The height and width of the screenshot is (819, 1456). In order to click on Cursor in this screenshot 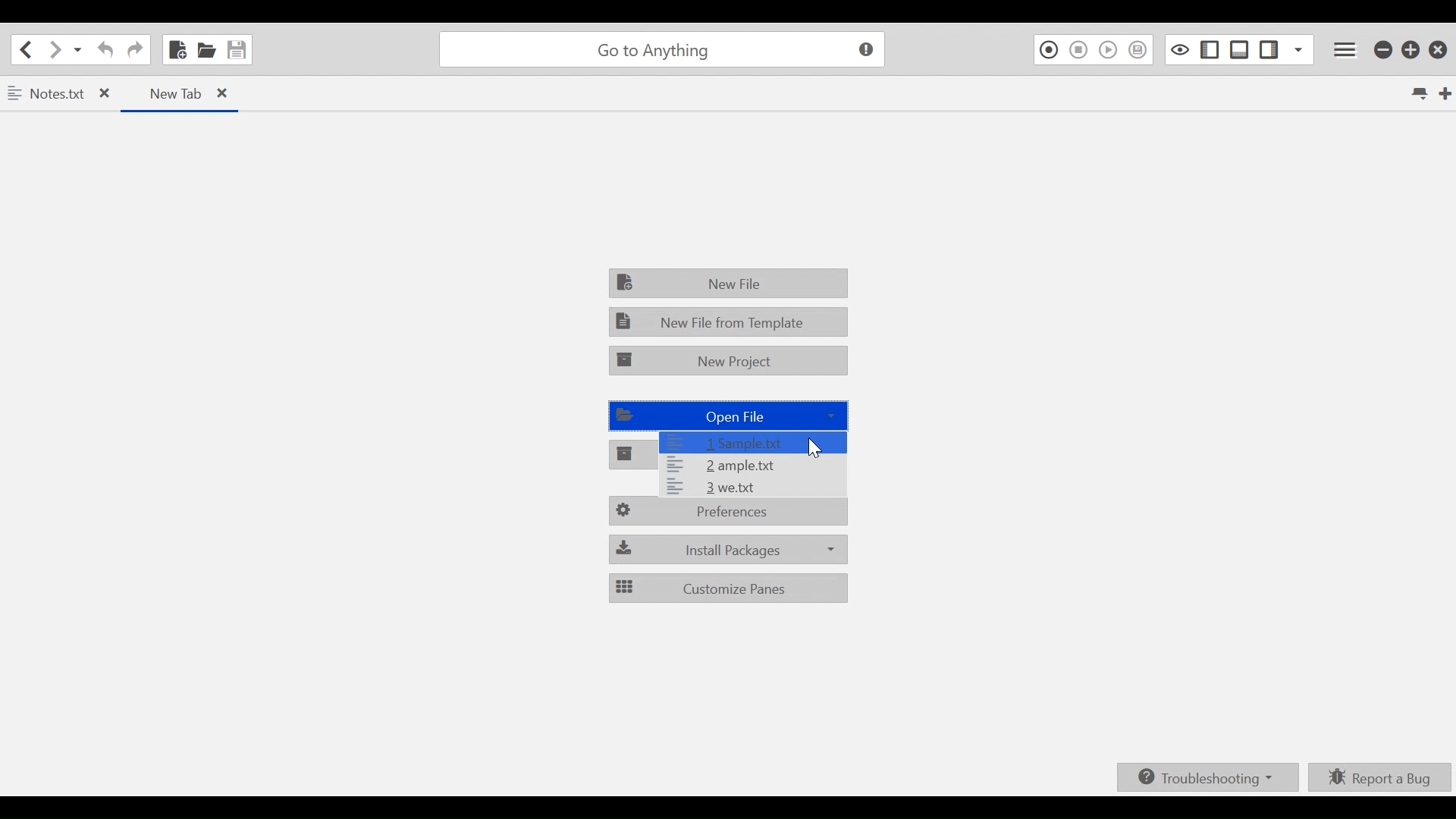, I will do `click(814, 447)`.